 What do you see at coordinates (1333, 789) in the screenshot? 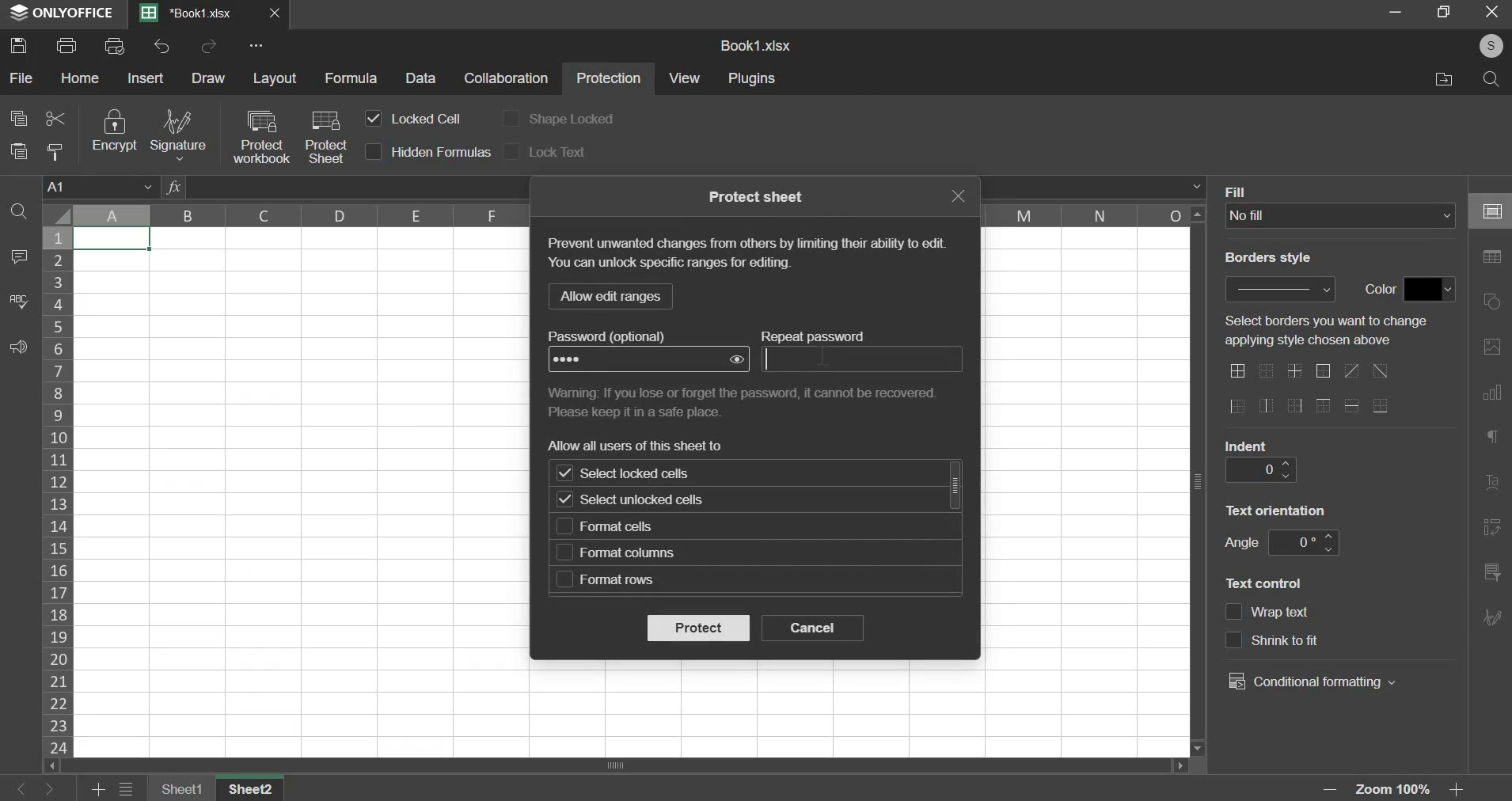
I see `zoom out` at bounding box center [1333, 789].